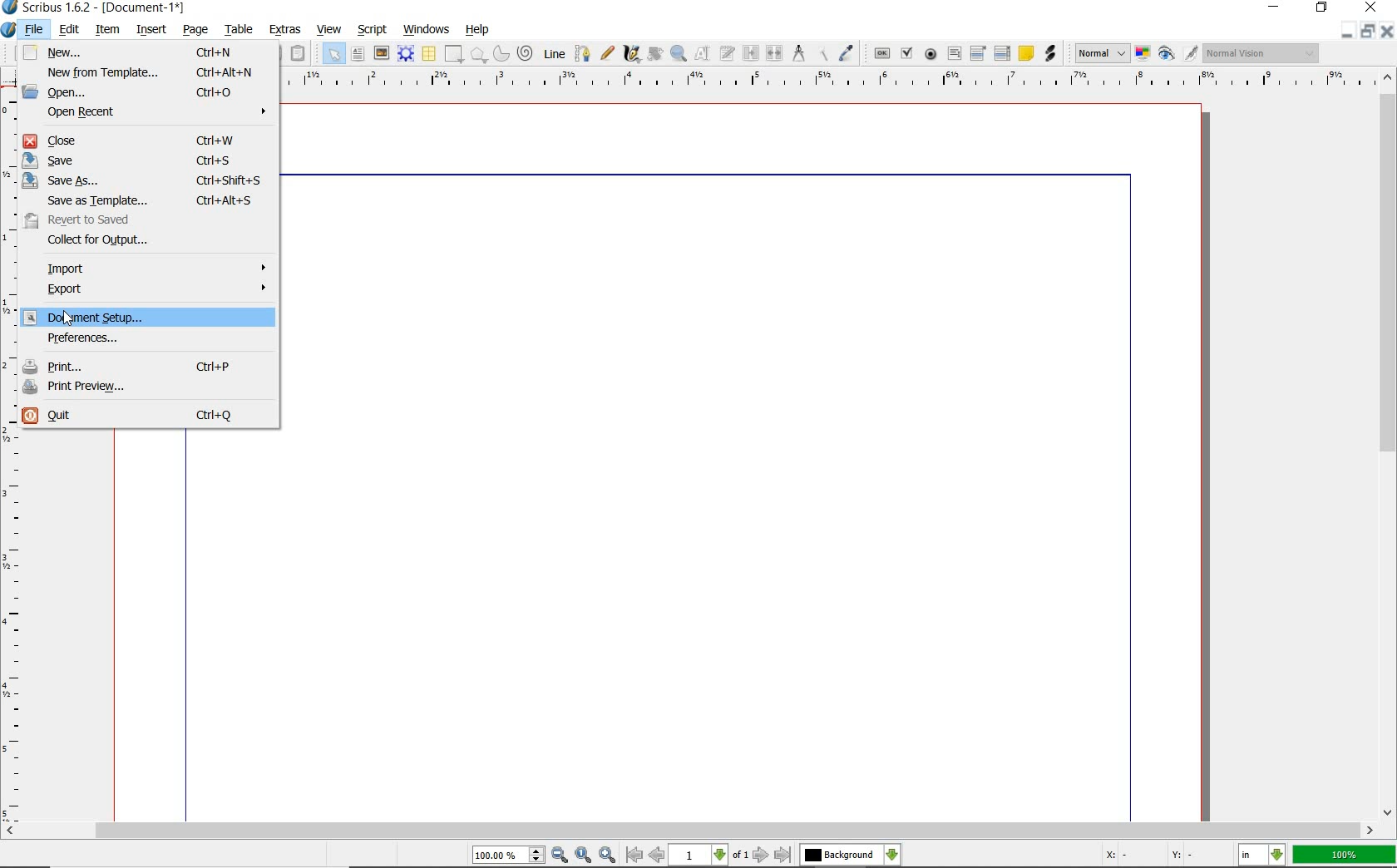 The image size is (1397, 868). Describe the element at coordinates (154, 200) in the screenshot. I see `SAVE AS TEMPLTE` at that location.